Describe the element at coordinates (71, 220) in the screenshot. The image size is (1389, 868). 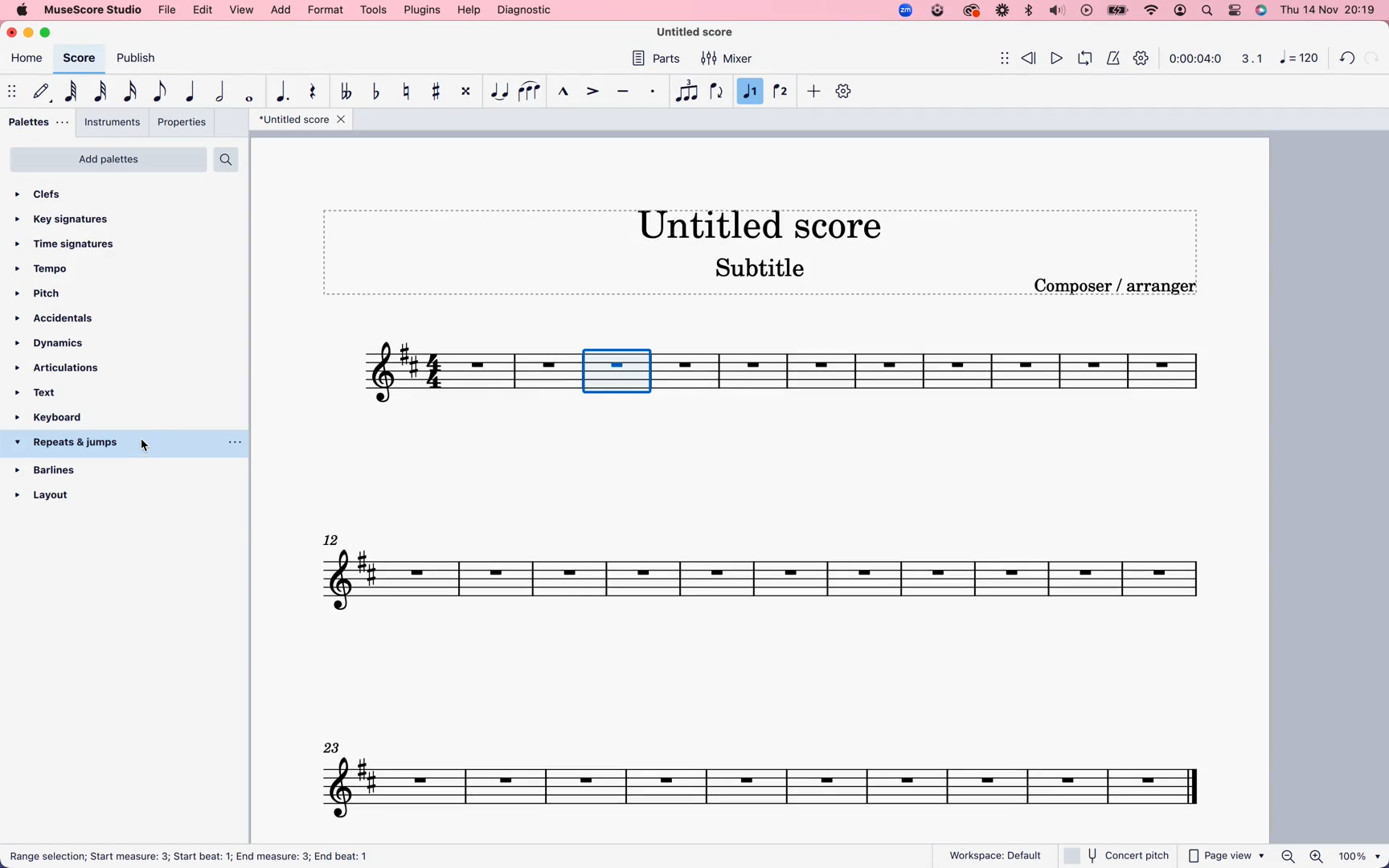
I see `key signatures` at that location.